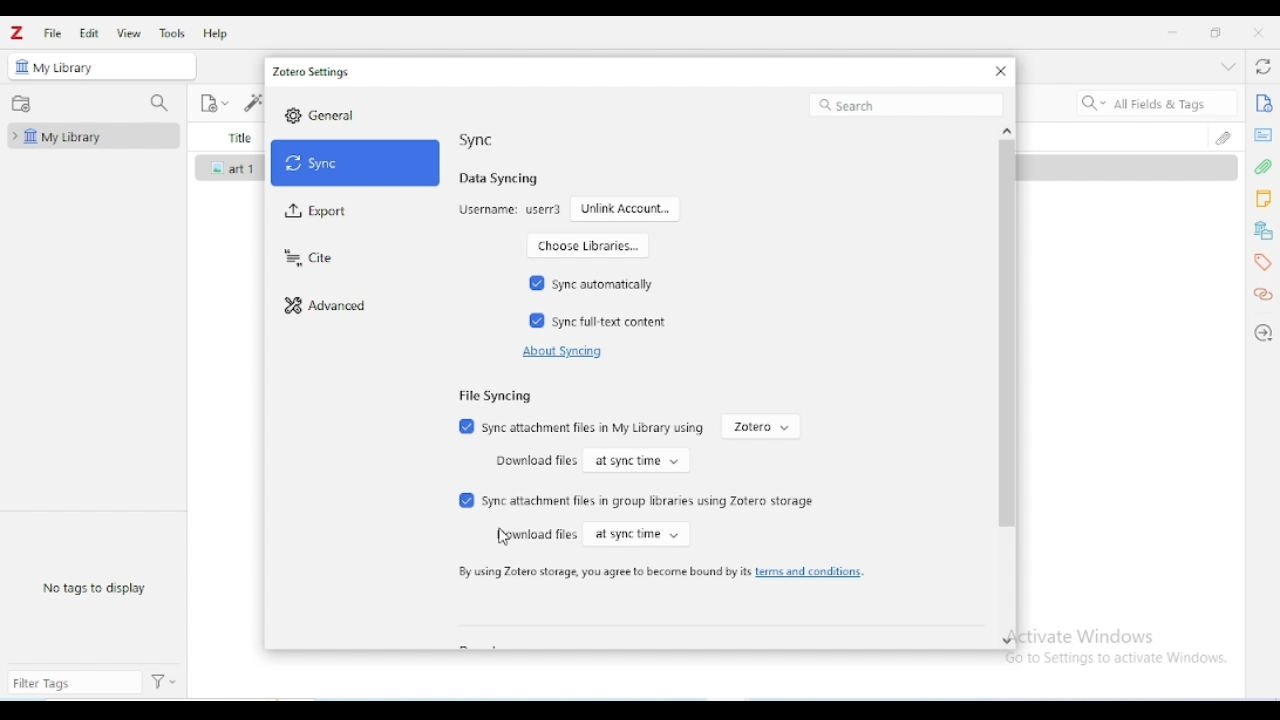 This screenshot has height=720, width=1280. What do you see at coordinates (94, 587) in the screenshot?
I see `no tags to display` at bounding box center [94, 587].